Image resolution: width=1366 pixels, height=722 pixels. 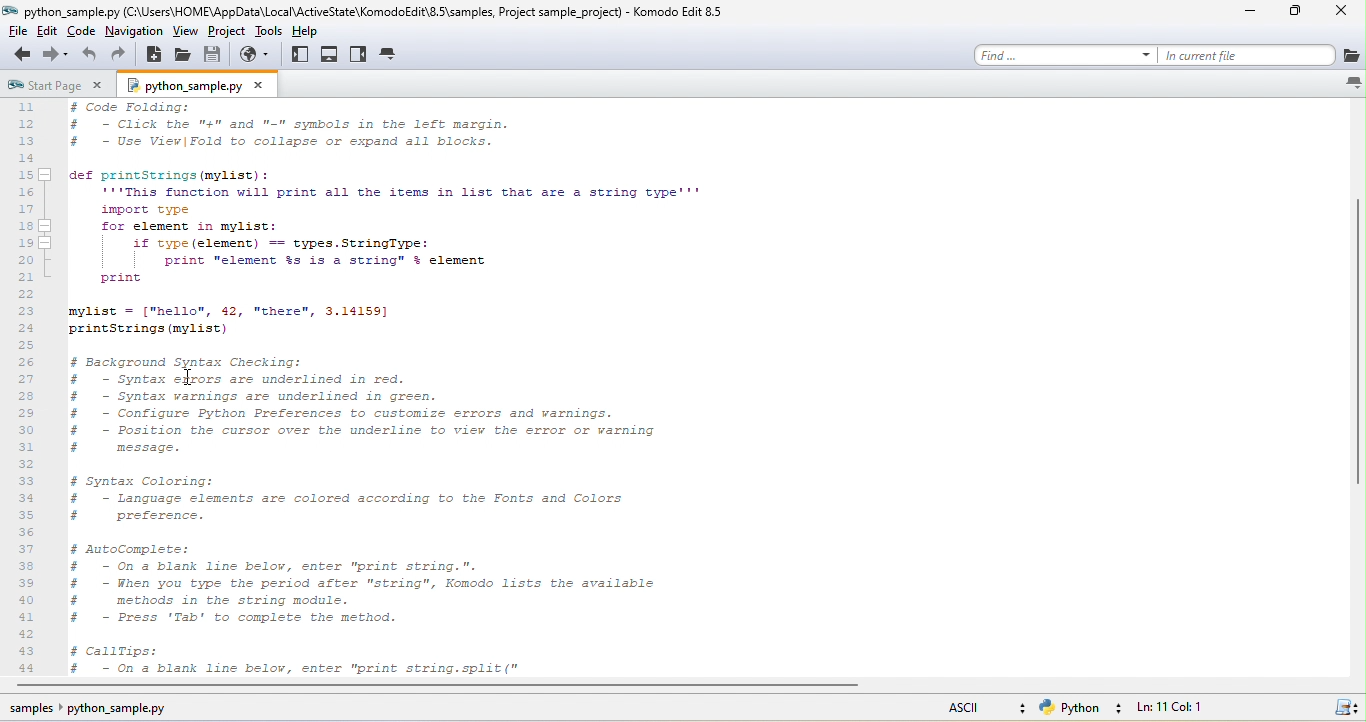 What do you see at coordinates (392, 53) in the screenshot?
I see `tab` at bounding box center [392, 53].